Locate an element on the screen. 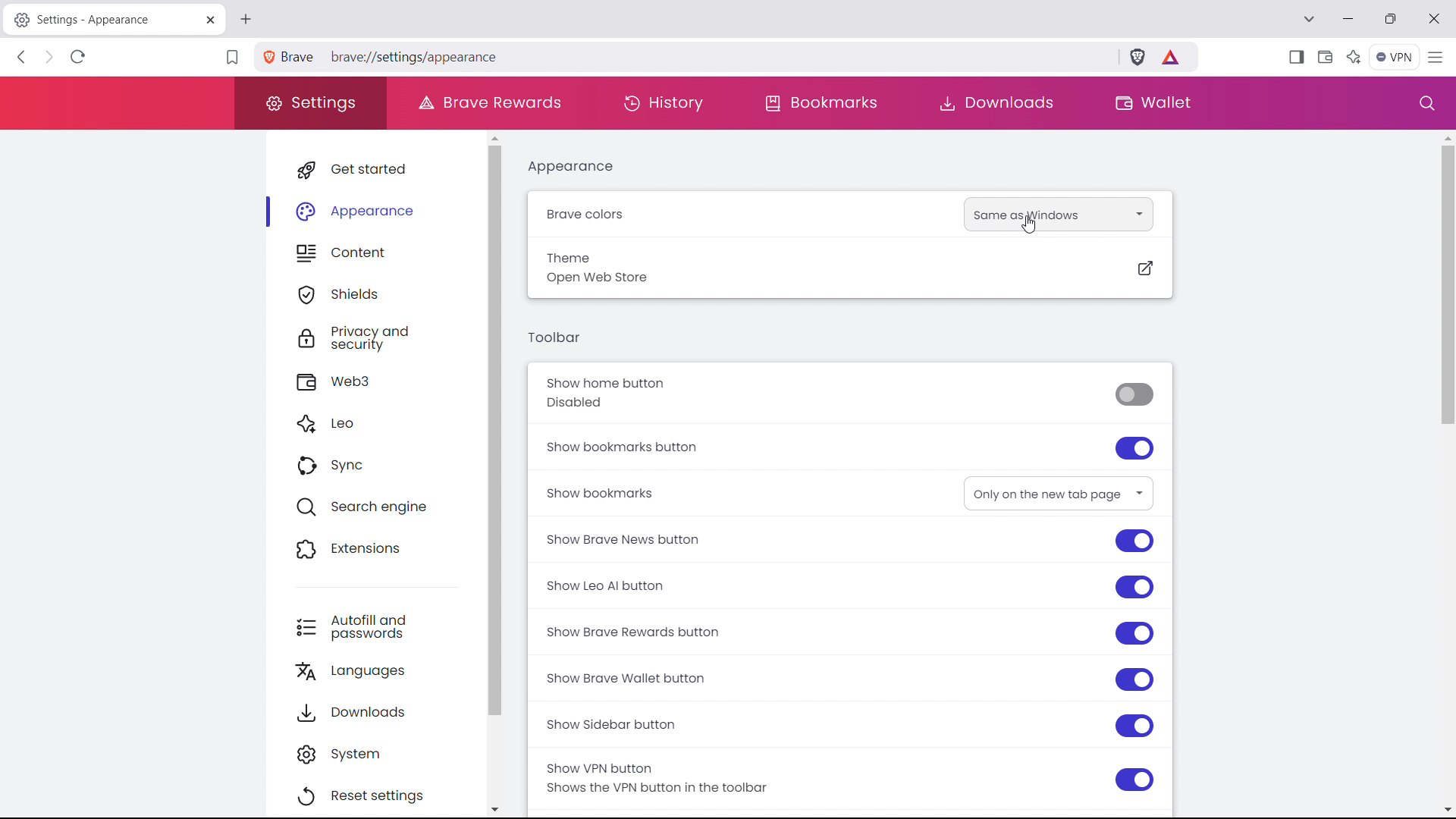 This screenshot has width=1456, height=819. brave://settings/appearance is located at coordinates (715, 57).